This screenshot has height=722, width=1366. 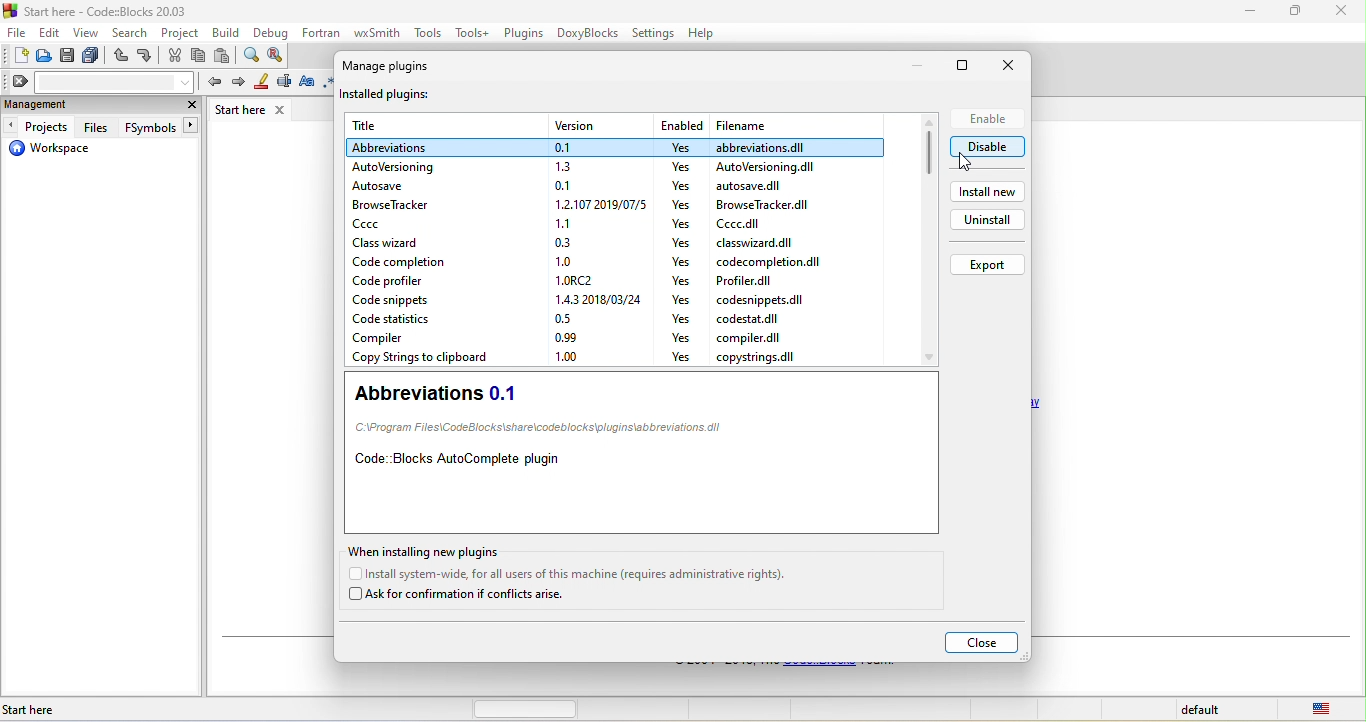 What do you see at coordinates (67, 57) in the screenshot?
I see `save` at bounding box center [67, 57].